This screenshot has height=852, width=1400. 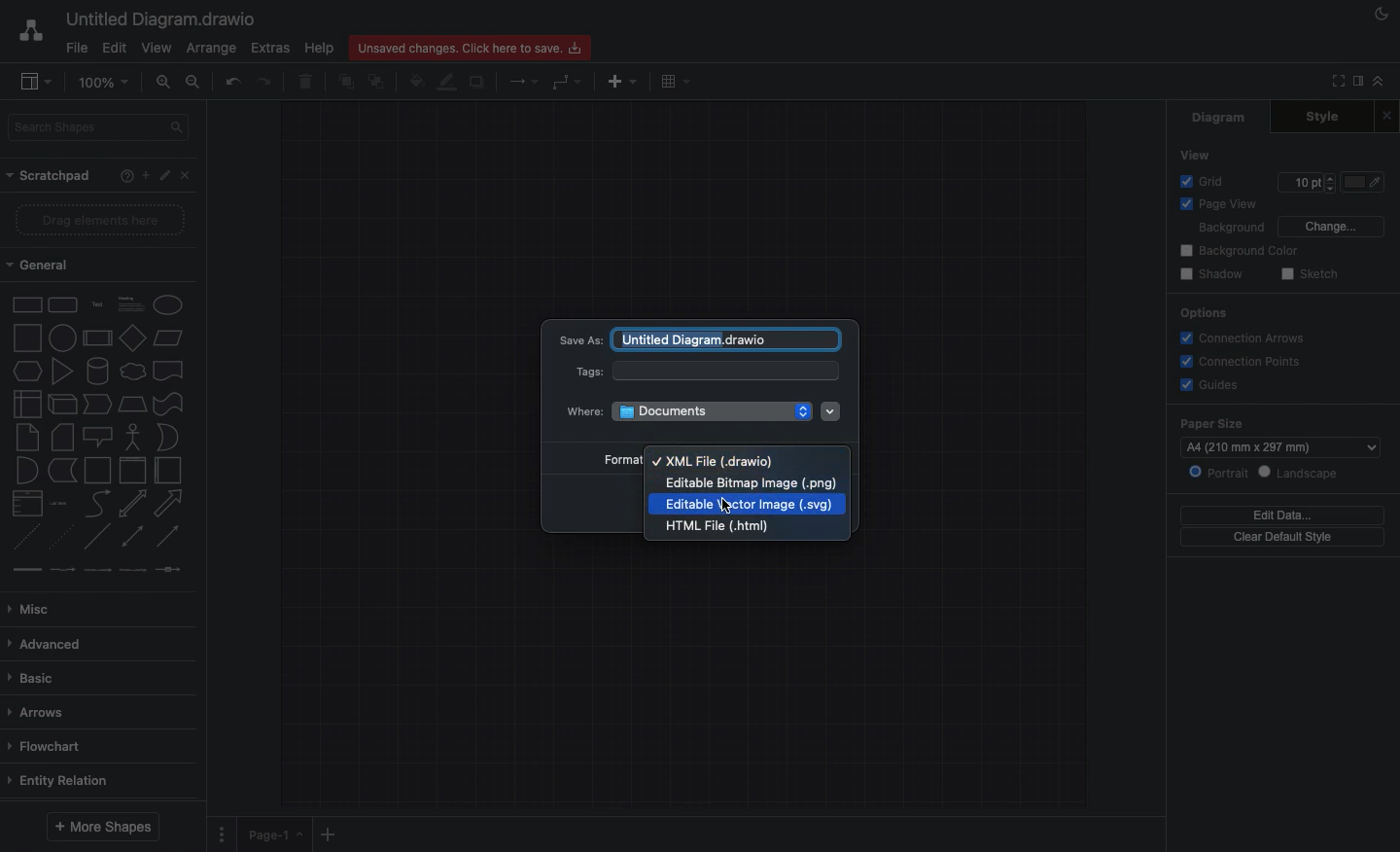 I want to click on Fill color, so click(x=419, y=81).